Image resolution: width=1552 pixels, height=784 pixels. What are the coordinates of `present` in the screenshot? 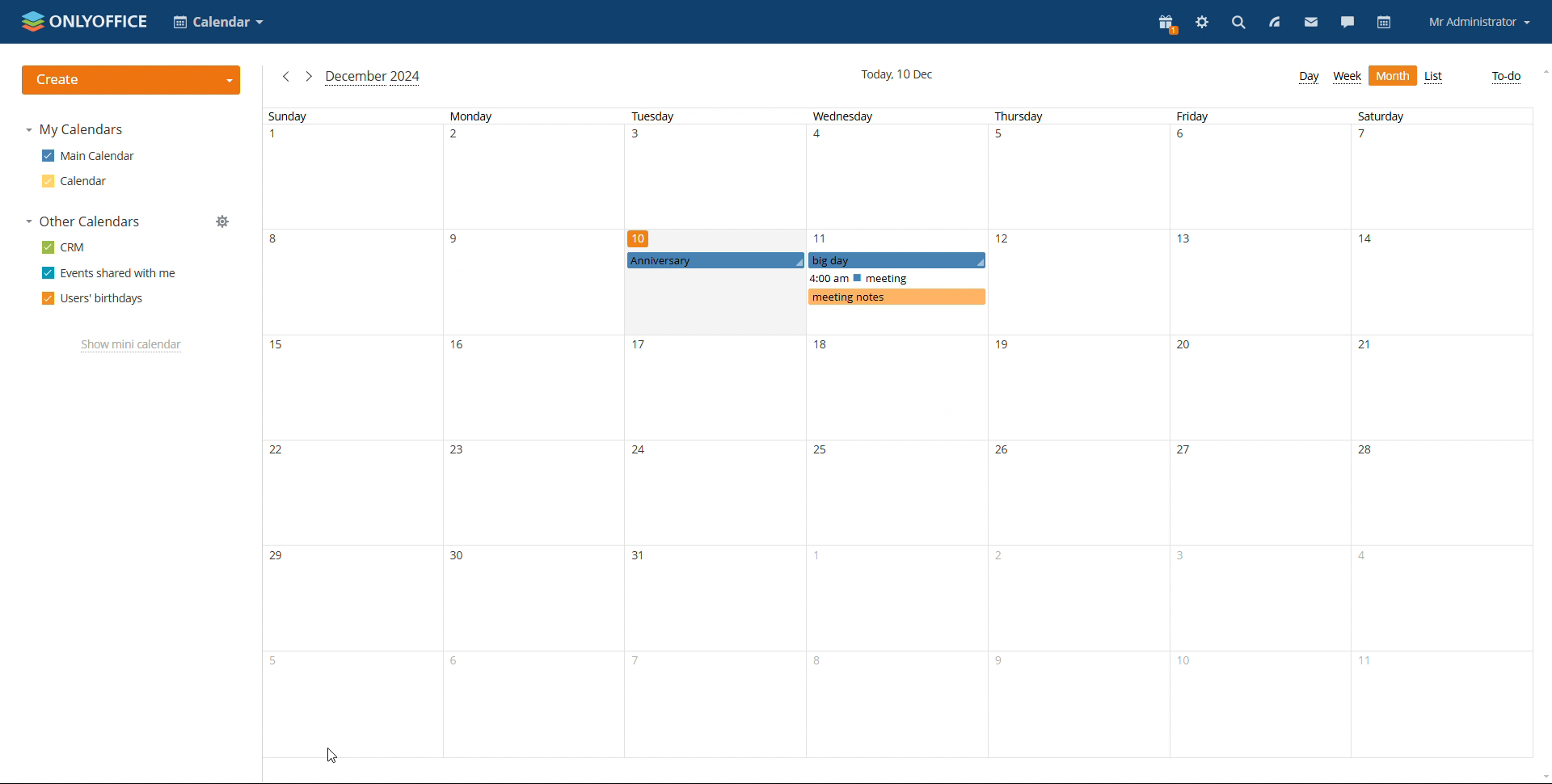 It's located at (1166, 24).